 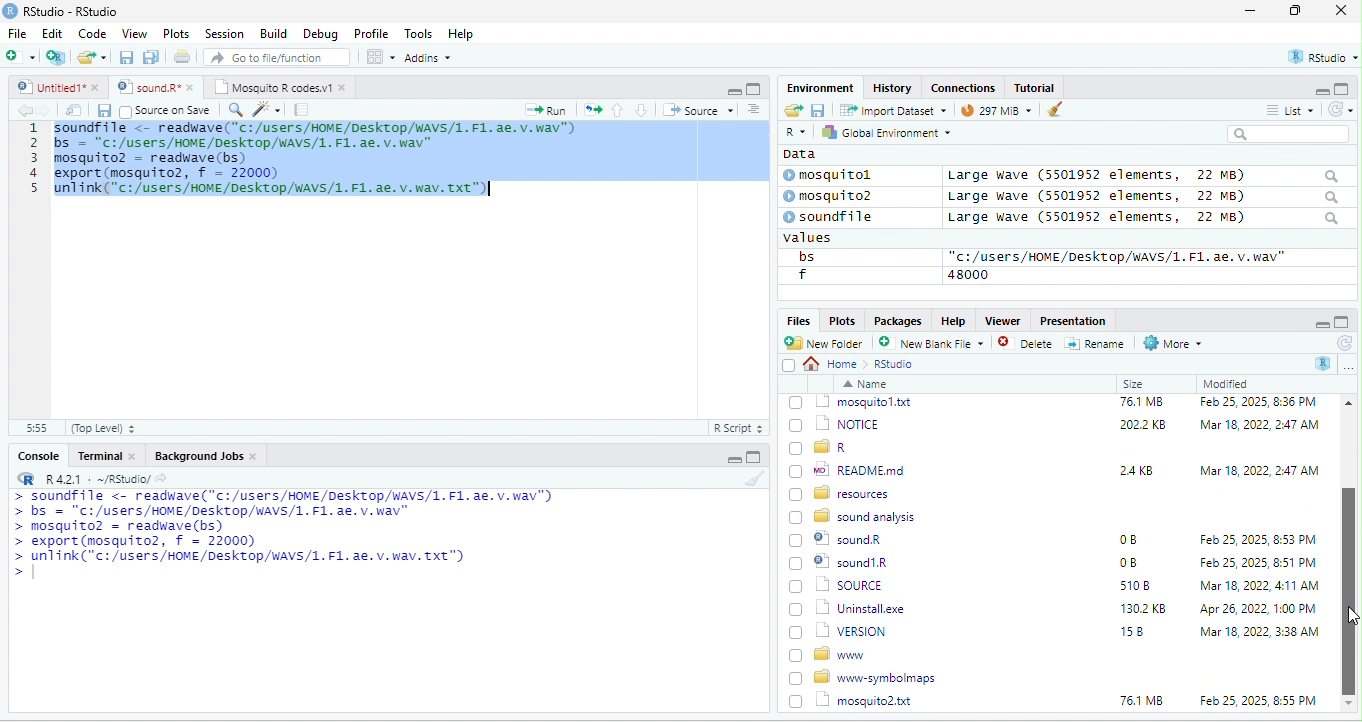 I want to click on Mar 18, 2022, 2:47 AM, so click(x=1254, y=499).